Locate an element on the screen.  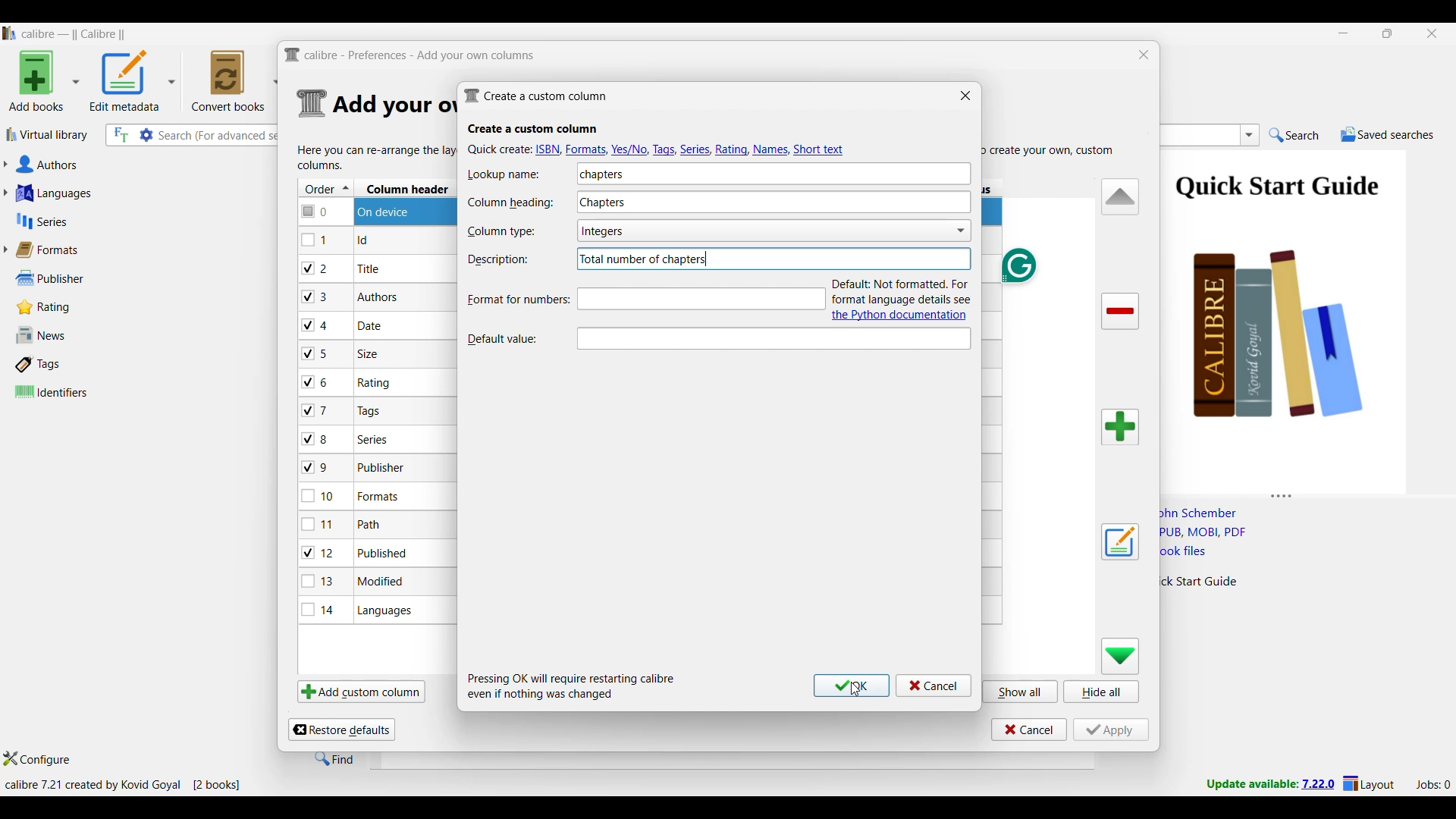
checkbox - 1 is located at coordinates (316, 240).